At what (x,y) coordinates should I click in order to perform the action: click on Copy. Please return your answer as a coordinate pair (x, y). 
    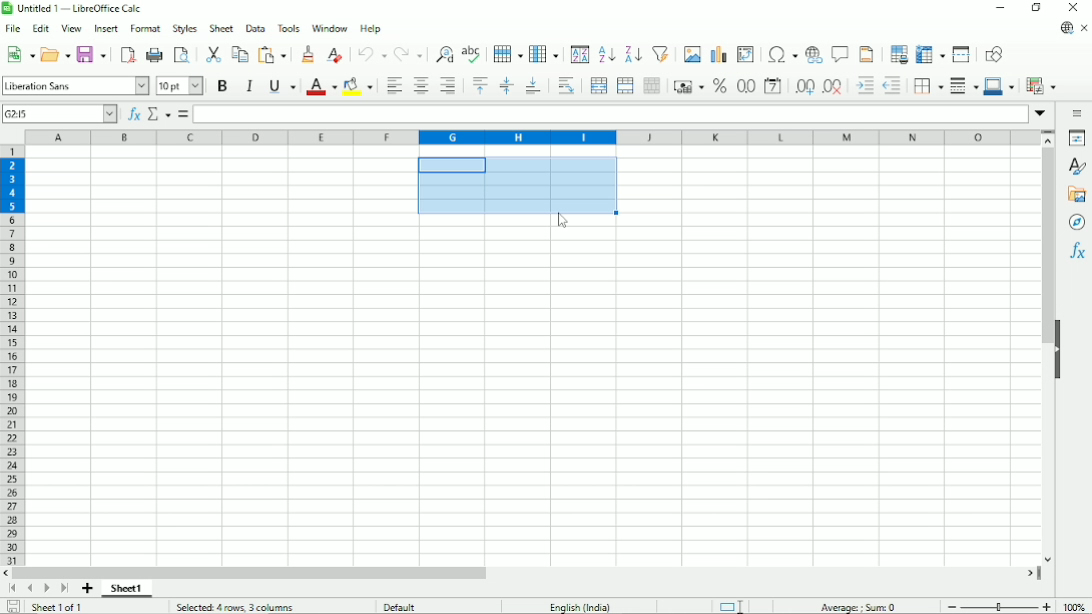
    Looking at the image, I should click on (239, 54).